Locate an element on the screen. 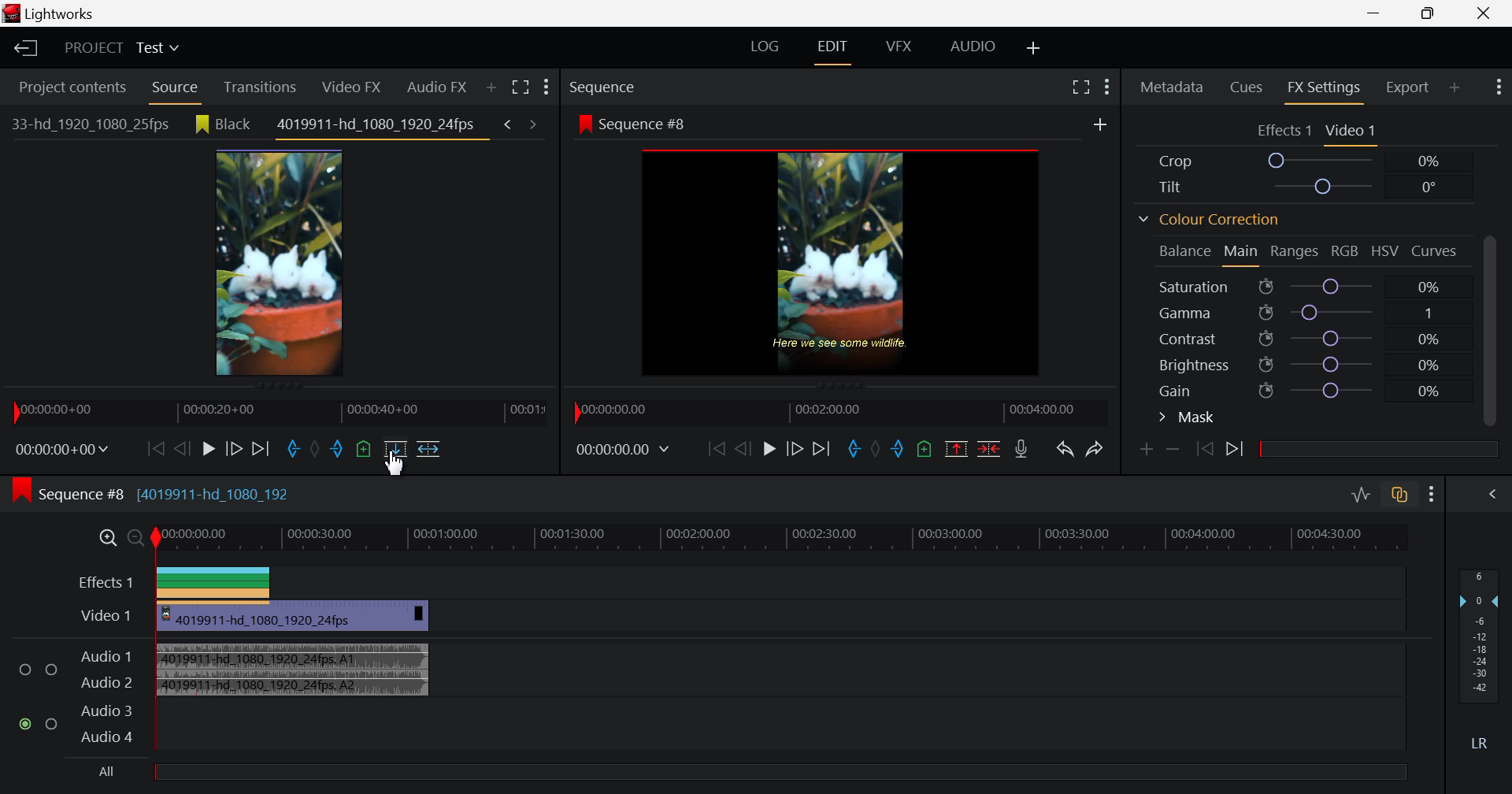  Audio Input Fields is located at coordinates (76, 694).